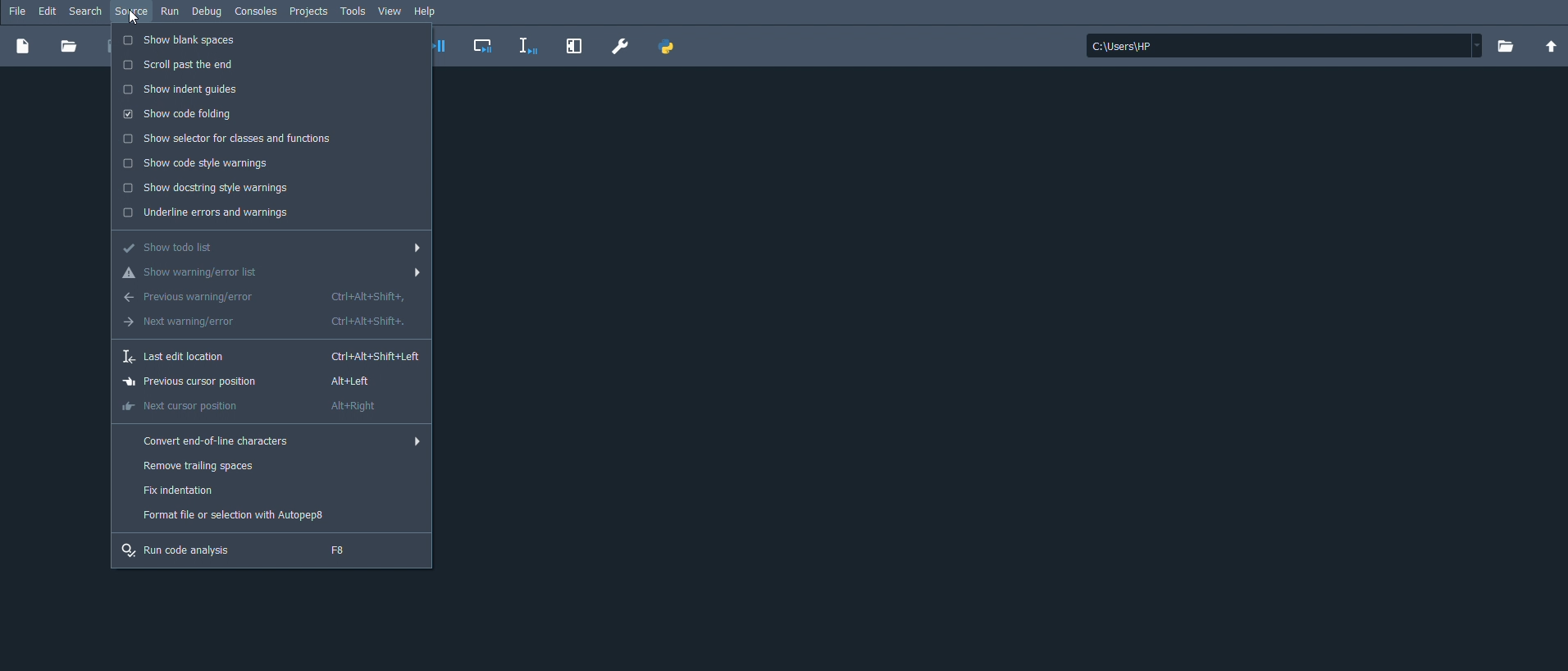  Describe the element at coordinates (270, 356) in the screenshot. I see `Last edit location` at that location.